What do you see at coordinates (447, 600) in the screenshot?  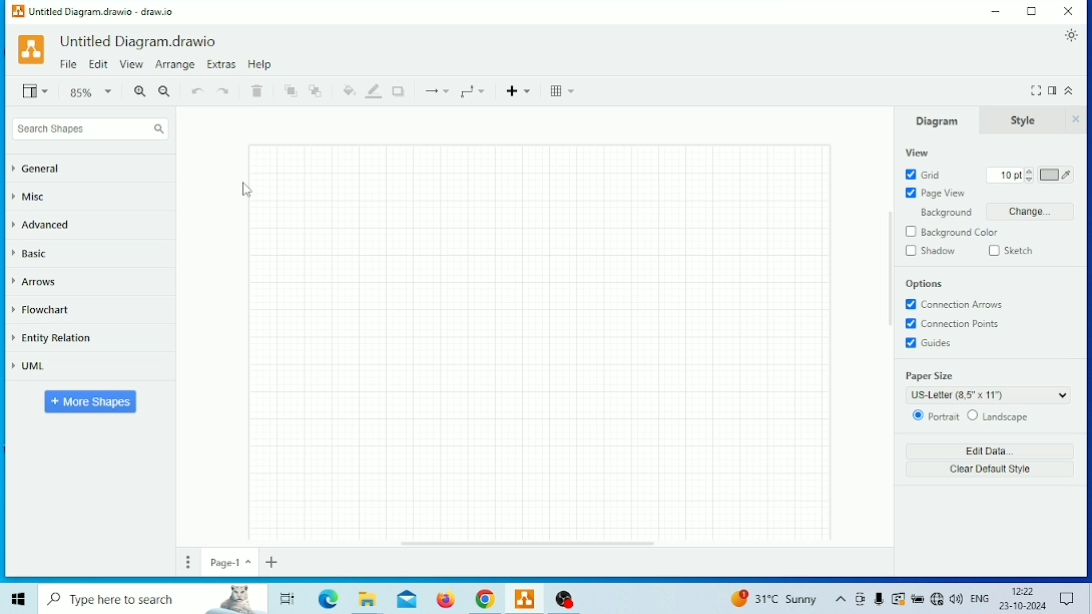 I see `Firefox` at bounding box center [447, 600].